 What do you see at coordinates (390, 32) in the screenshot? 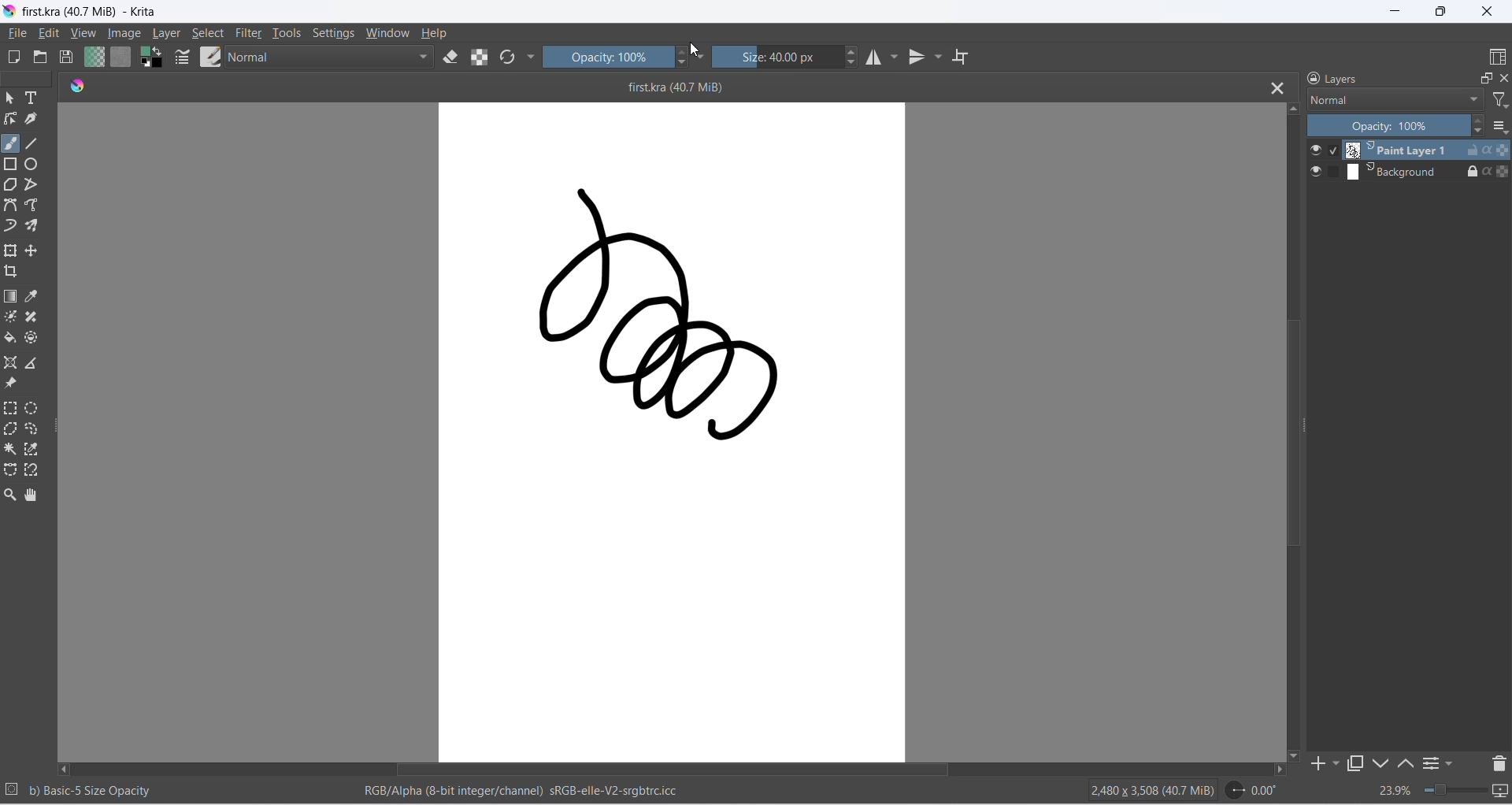
I see `window` at bounding box center [390, 32].